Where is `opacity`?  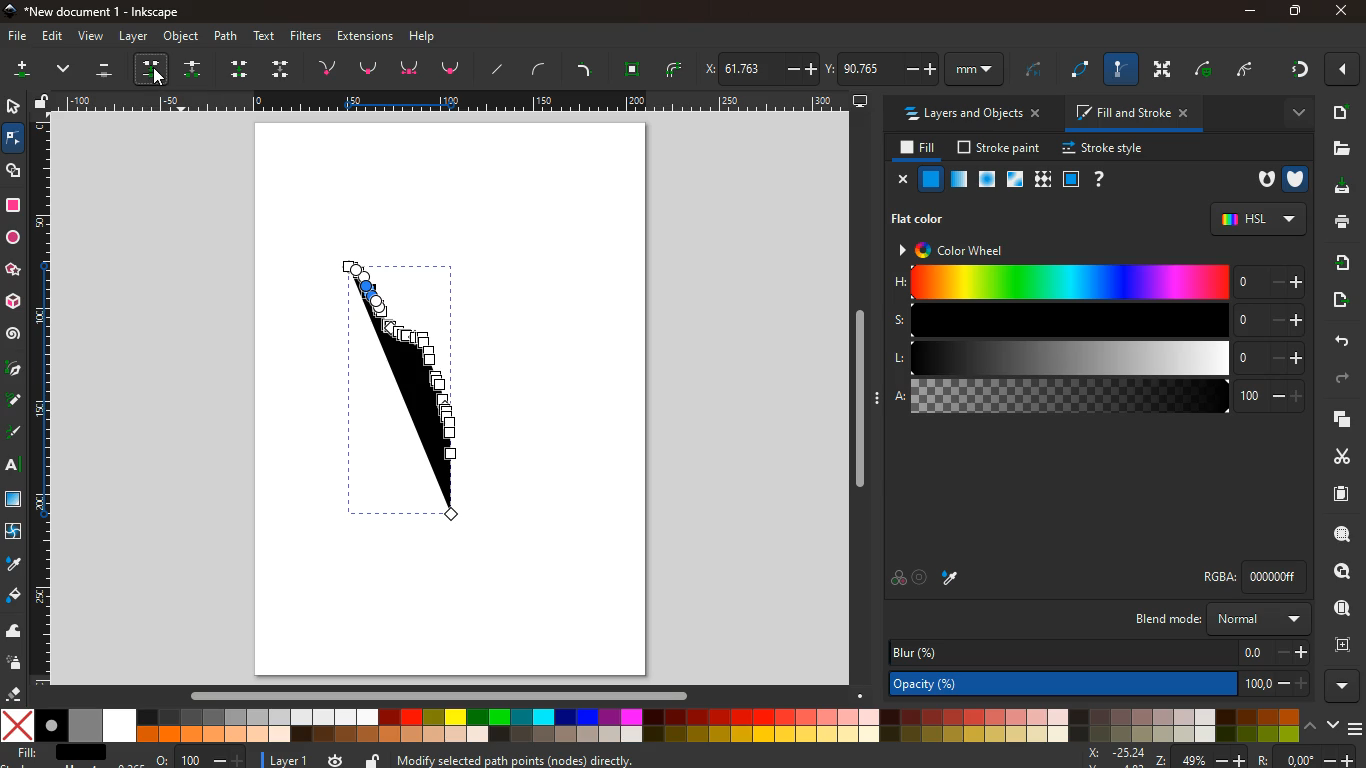 opacity is located at coordinates (1102, 682).